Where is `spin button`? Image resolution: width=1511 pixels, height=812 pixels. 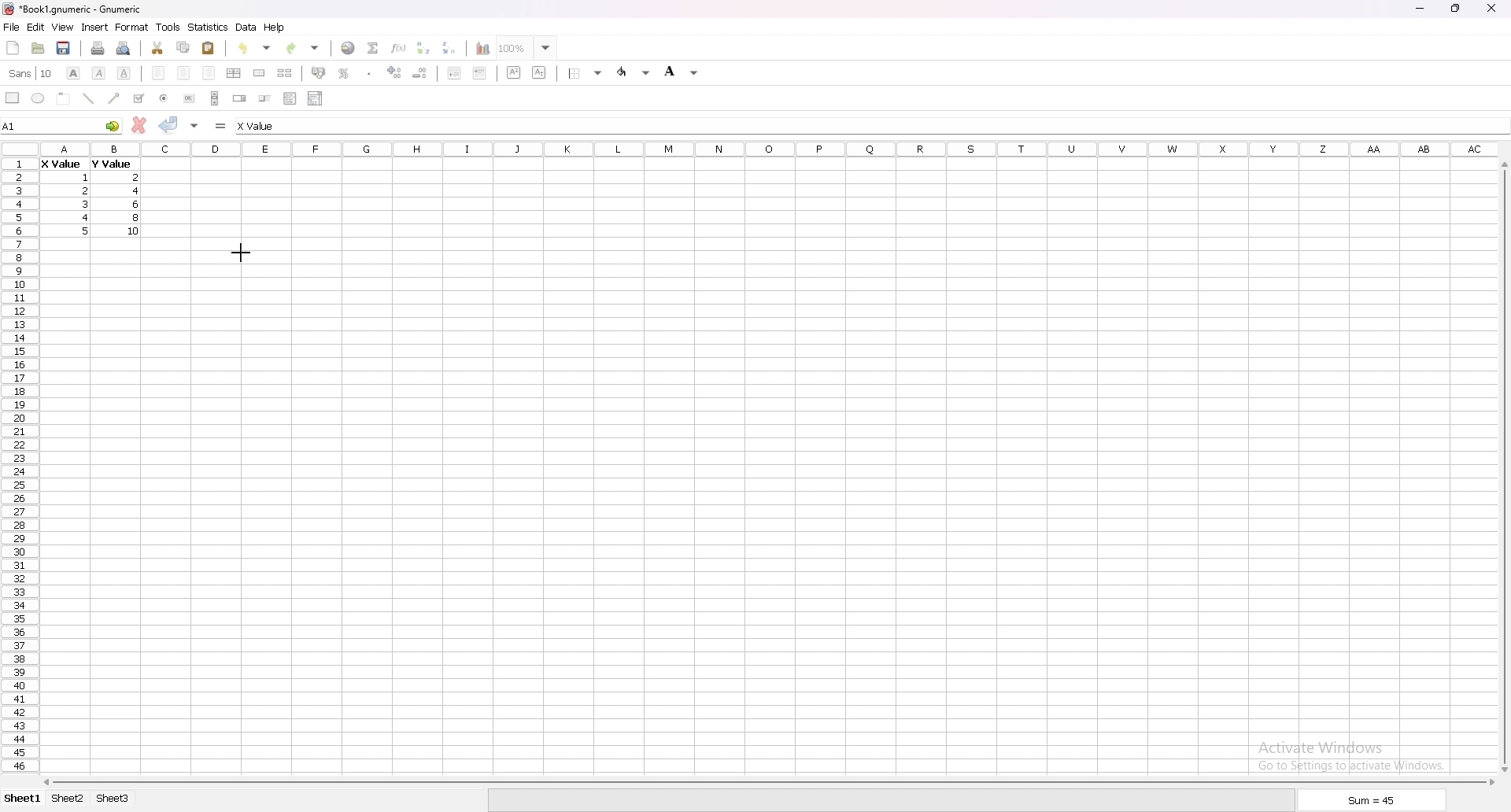 spin button is located at coordinates (240, 98).